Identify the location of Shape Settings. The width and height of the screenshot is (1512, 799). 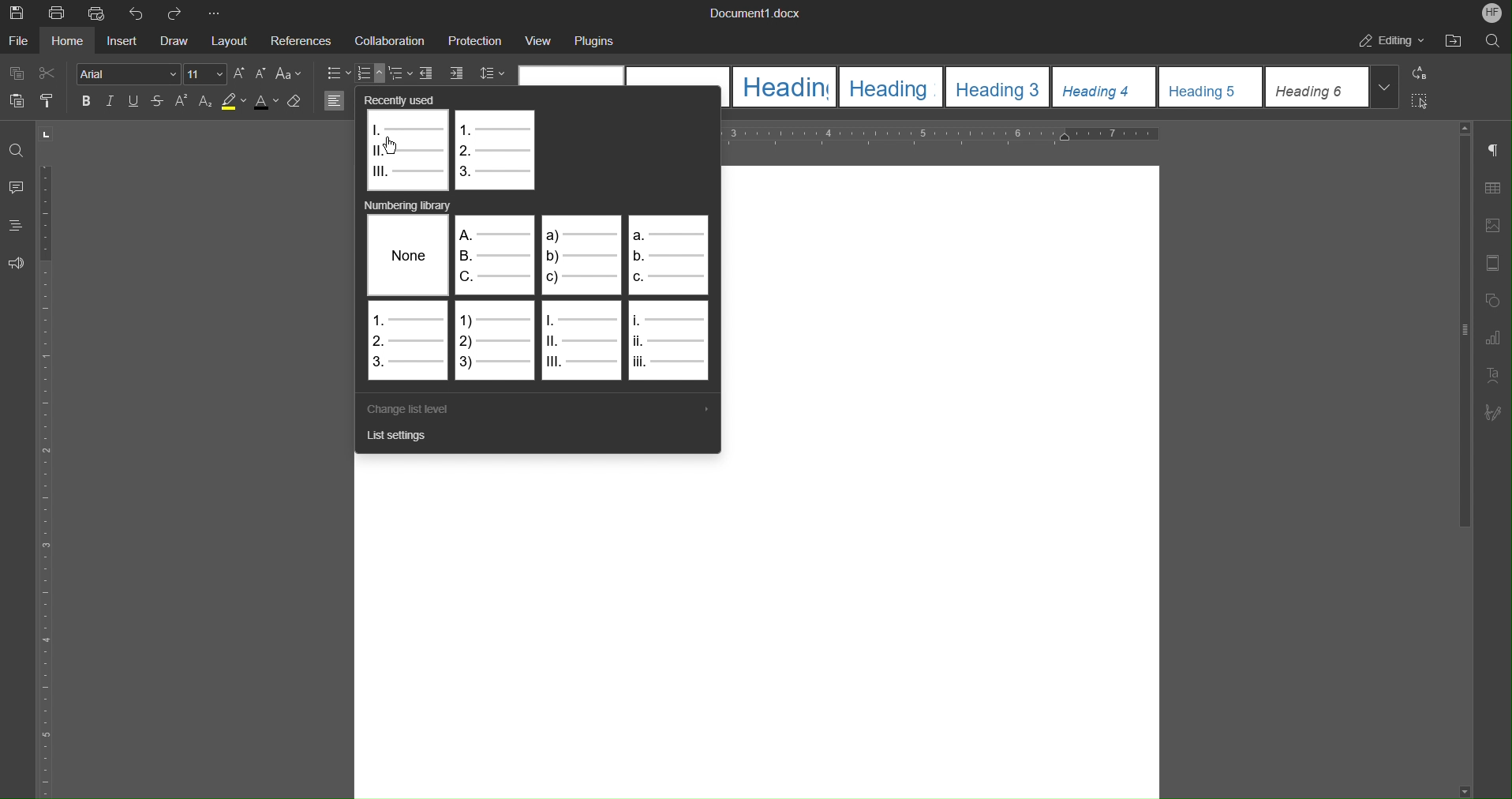
(1494, 301).